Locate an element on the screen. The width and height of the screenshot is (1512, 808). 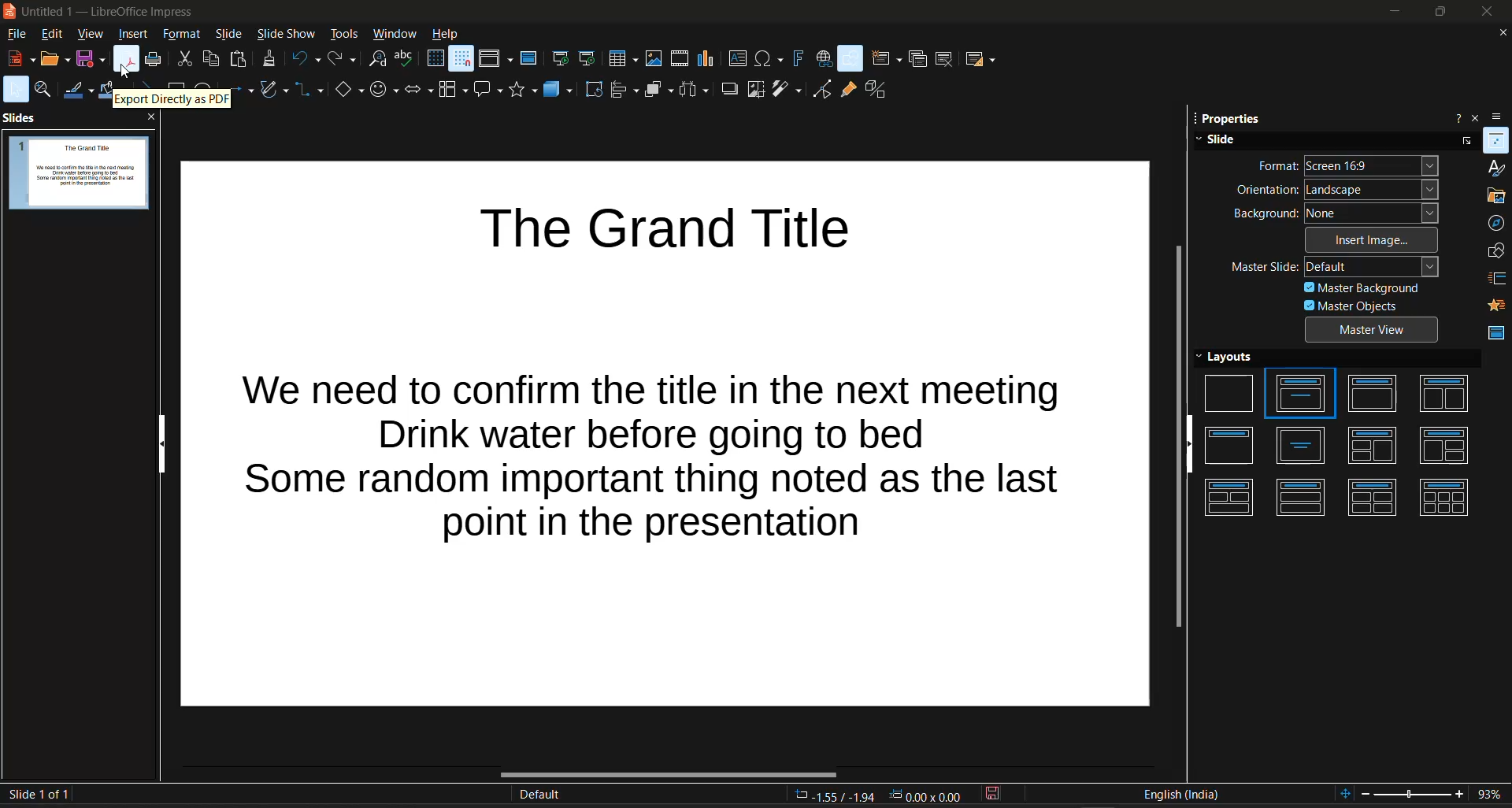
format is located at coordinates (1348, 164).